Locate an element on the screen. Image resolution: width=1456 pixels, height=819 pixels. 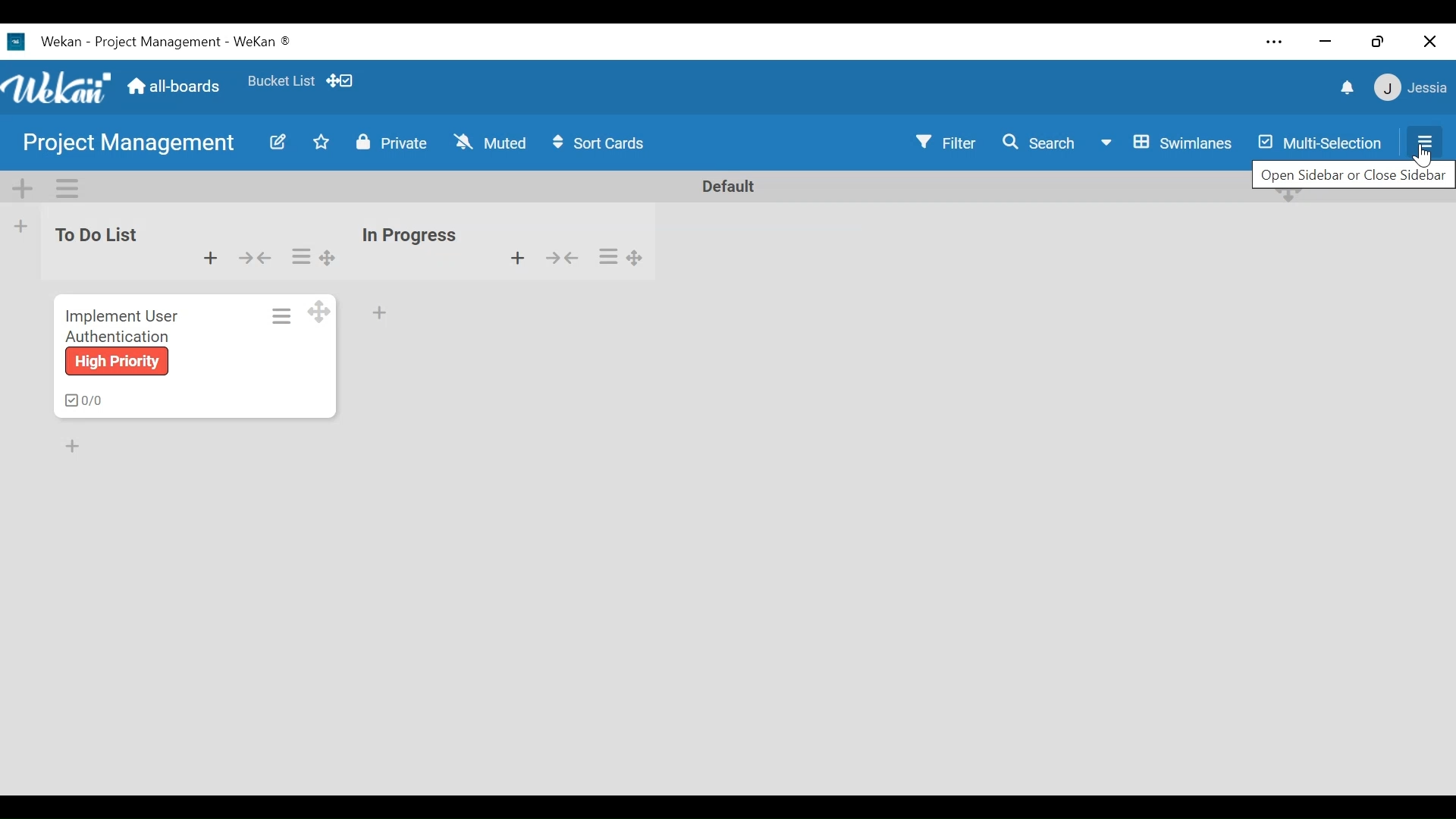
Collapse is located at coordinates (255, 258).